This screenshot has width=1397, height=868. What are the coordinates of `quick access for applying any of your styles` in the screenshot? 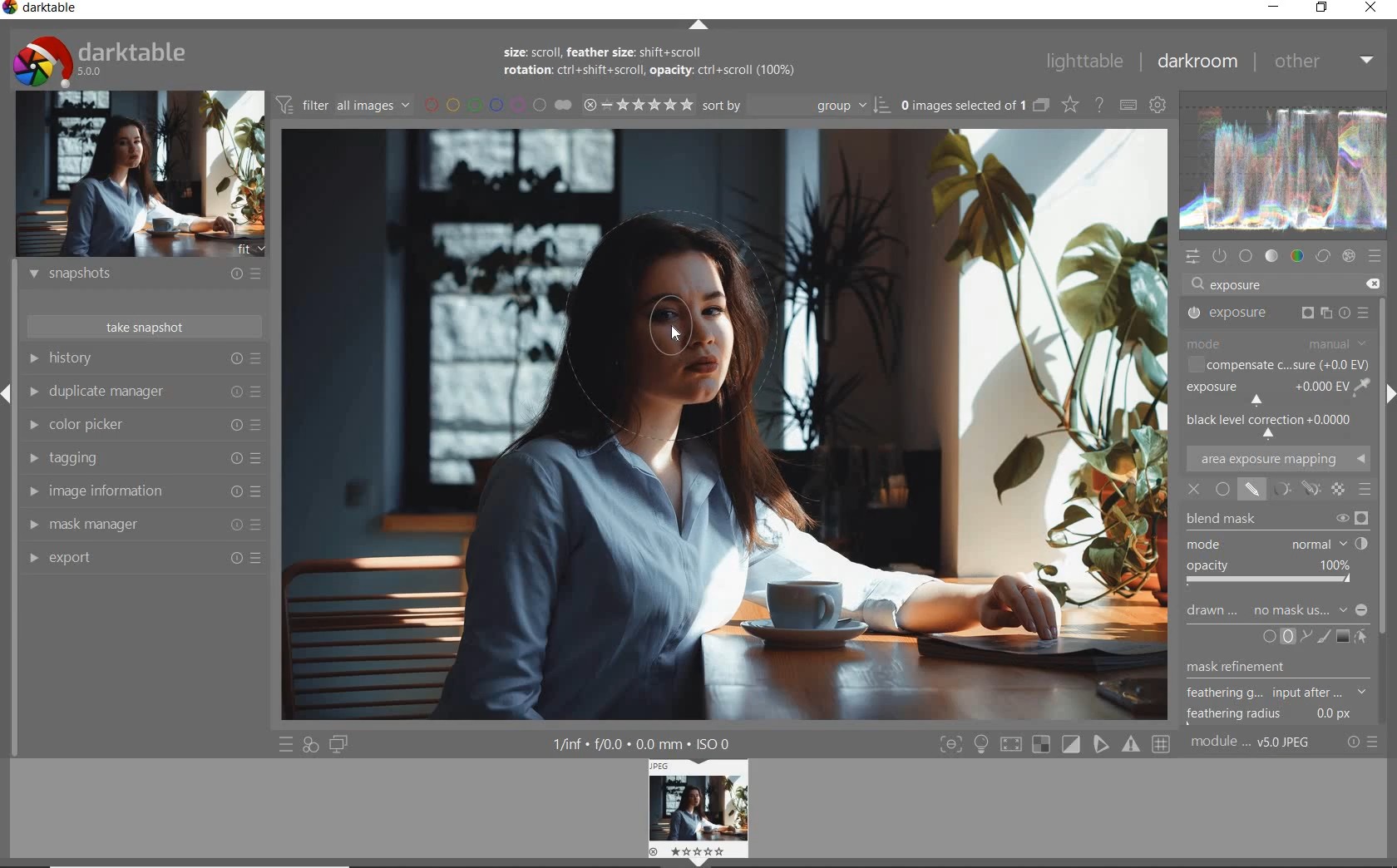 It's located at (309, 746).